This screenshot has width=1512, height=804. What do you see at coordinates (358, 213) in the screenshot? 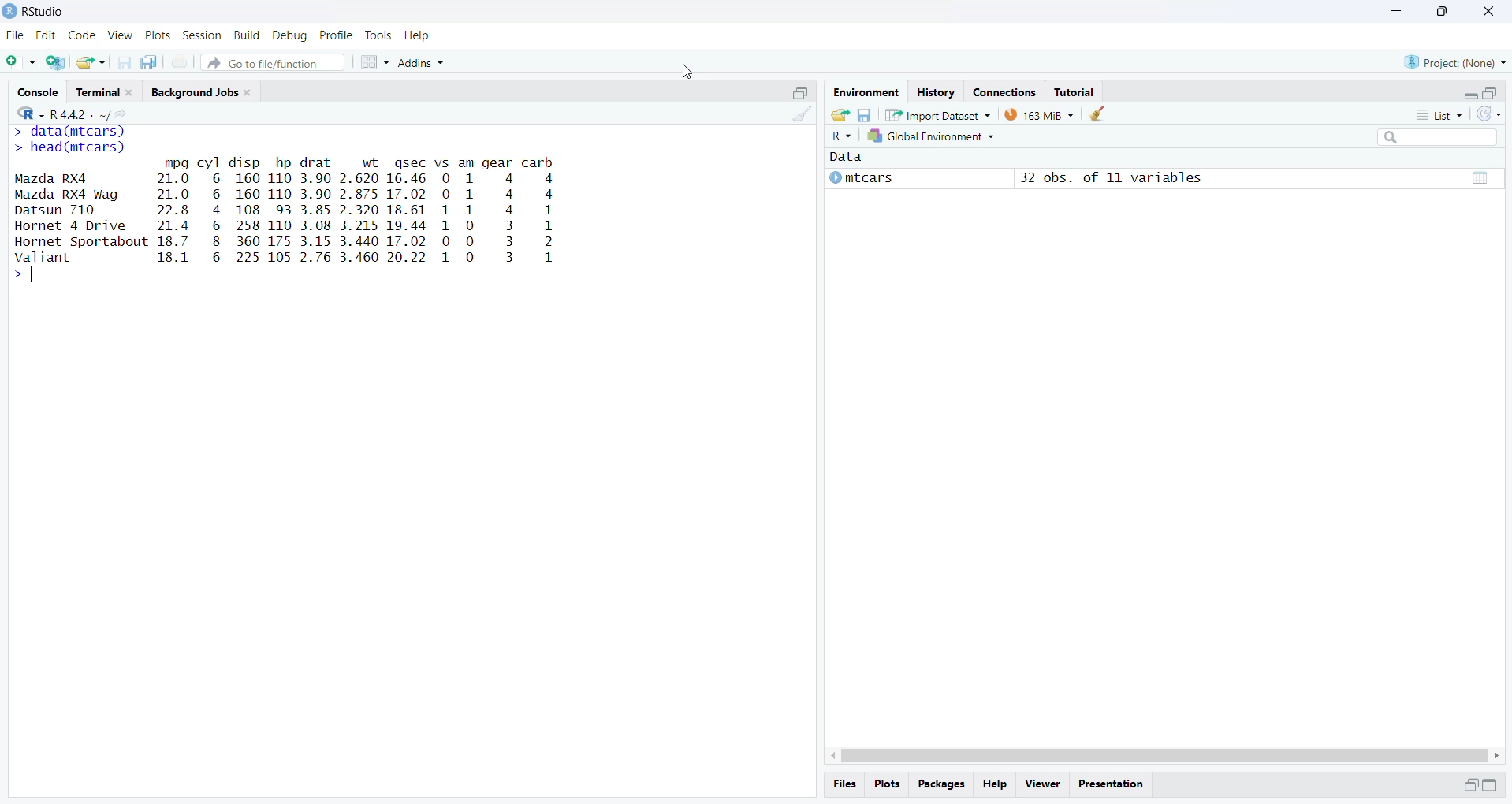
I see `mpg cyl disp hp drat ~~ wt qgsec vs am gear carb
21.0 6 160 110 3.90 2.620 16.46 0 1 4 4
21.0 6 160 110 3.90 2.875 17.02 0 1 4 4
22.8 4 108 93 3.85 2.320 18.61 1 1 4 a 8
21.4 6 258 110 3.08 3.215 19.44 1 0 3 hs
18.7 8 360 175 3.15 3.440 17.02 0 0 3 2
18.1 6 225 105 2.76 3.460 20.22 1 0 3 1` at bounding box center [358, 213].